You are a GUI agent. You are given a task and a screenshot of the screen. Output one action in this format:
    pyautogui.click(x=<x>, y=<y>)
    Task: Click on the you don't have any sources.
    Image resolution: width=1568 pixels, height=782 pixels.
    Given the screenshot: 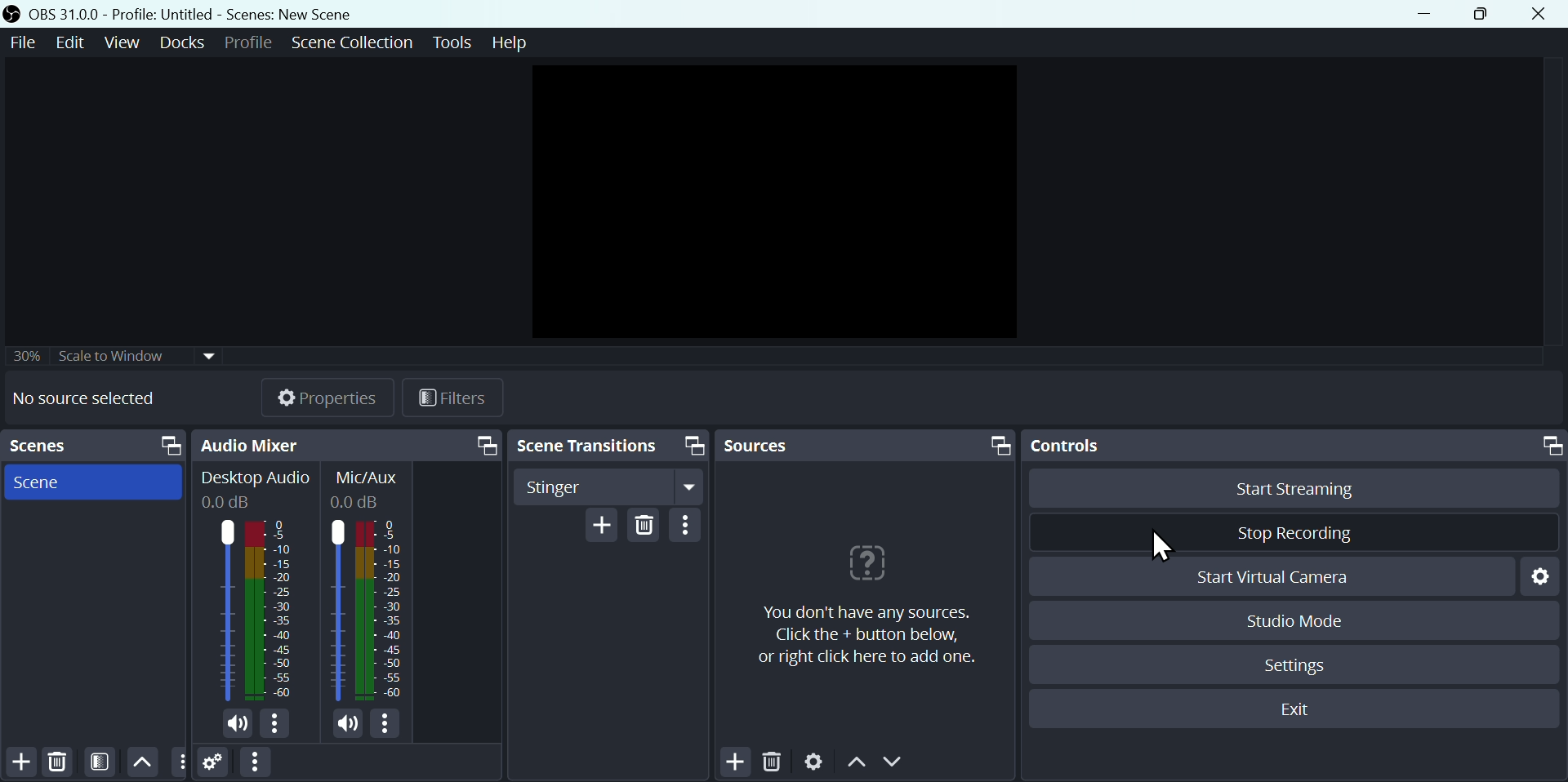 What is the action you would take?
    pyautogui.click(x=866, y=634)
    